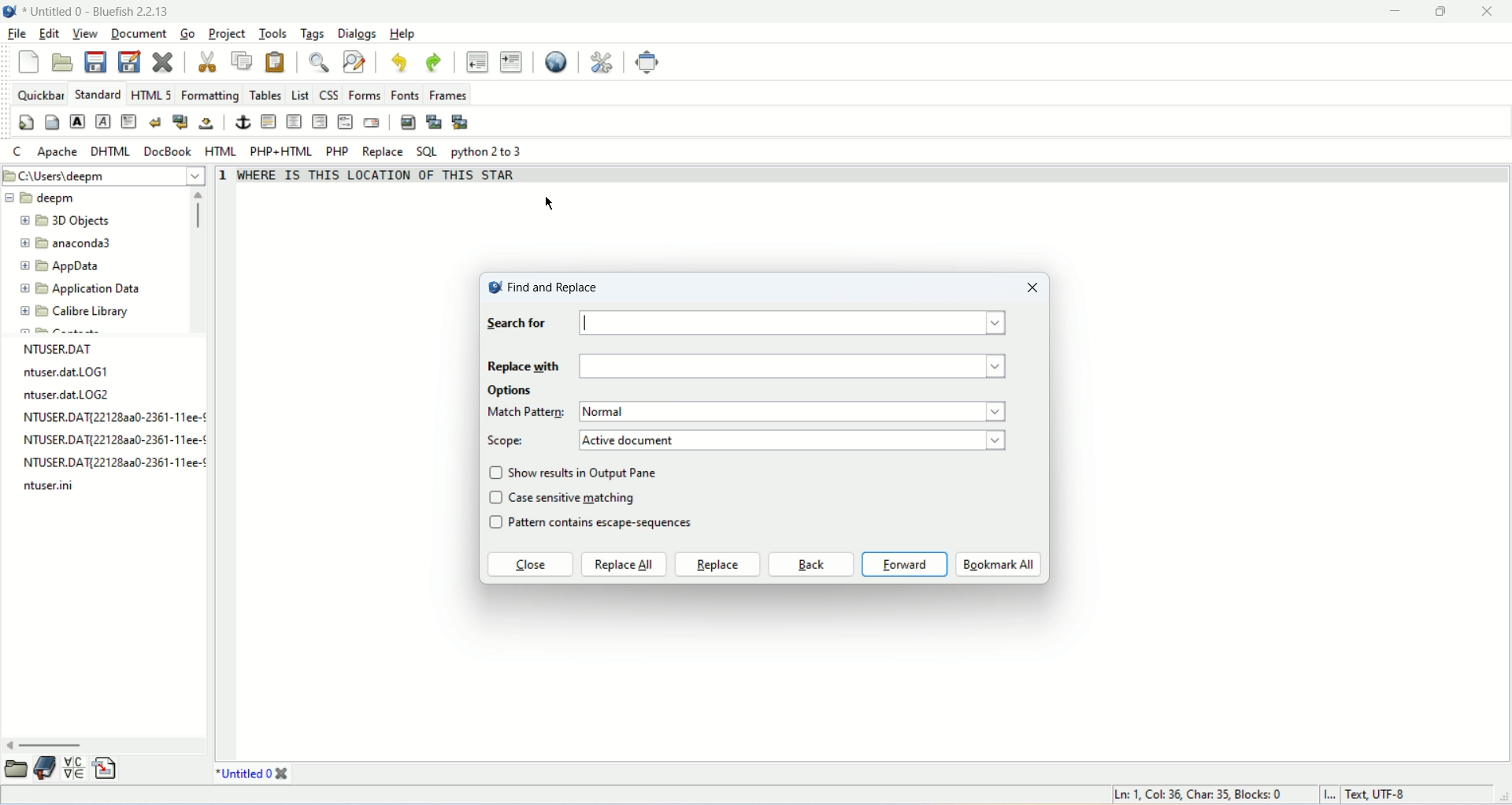 The height and width of the screenshot is (805, 1512). Describe the element at coordinates (55, 152) in the screenshot. I see `Apache` at that location.